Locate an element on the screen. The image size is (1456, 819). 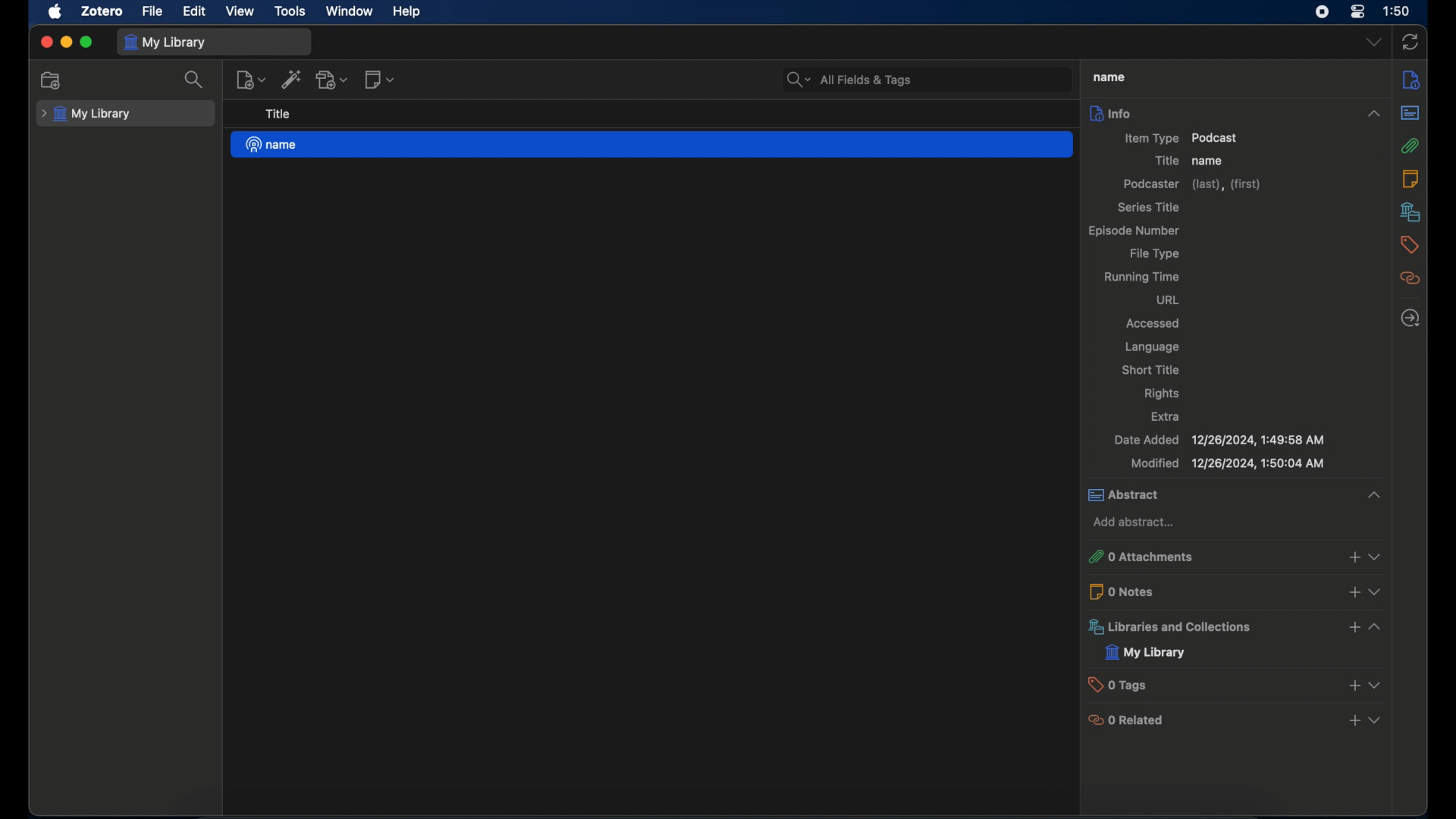
dropdown is located at coordinates (1375, 42).